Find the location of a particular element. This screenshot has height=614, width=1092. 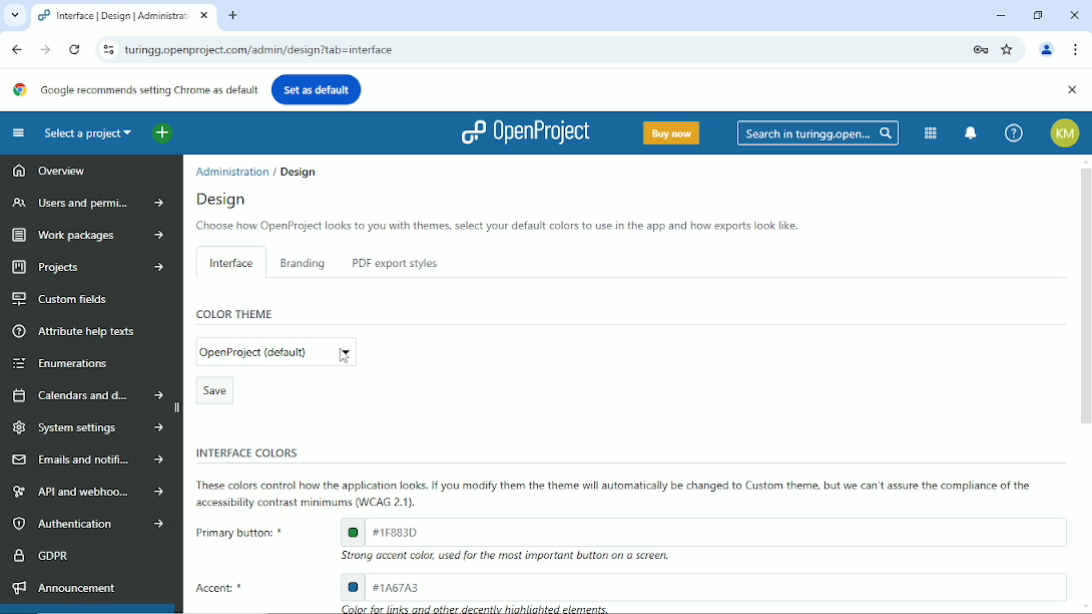

Openproject is located at coordinates (524, 132).